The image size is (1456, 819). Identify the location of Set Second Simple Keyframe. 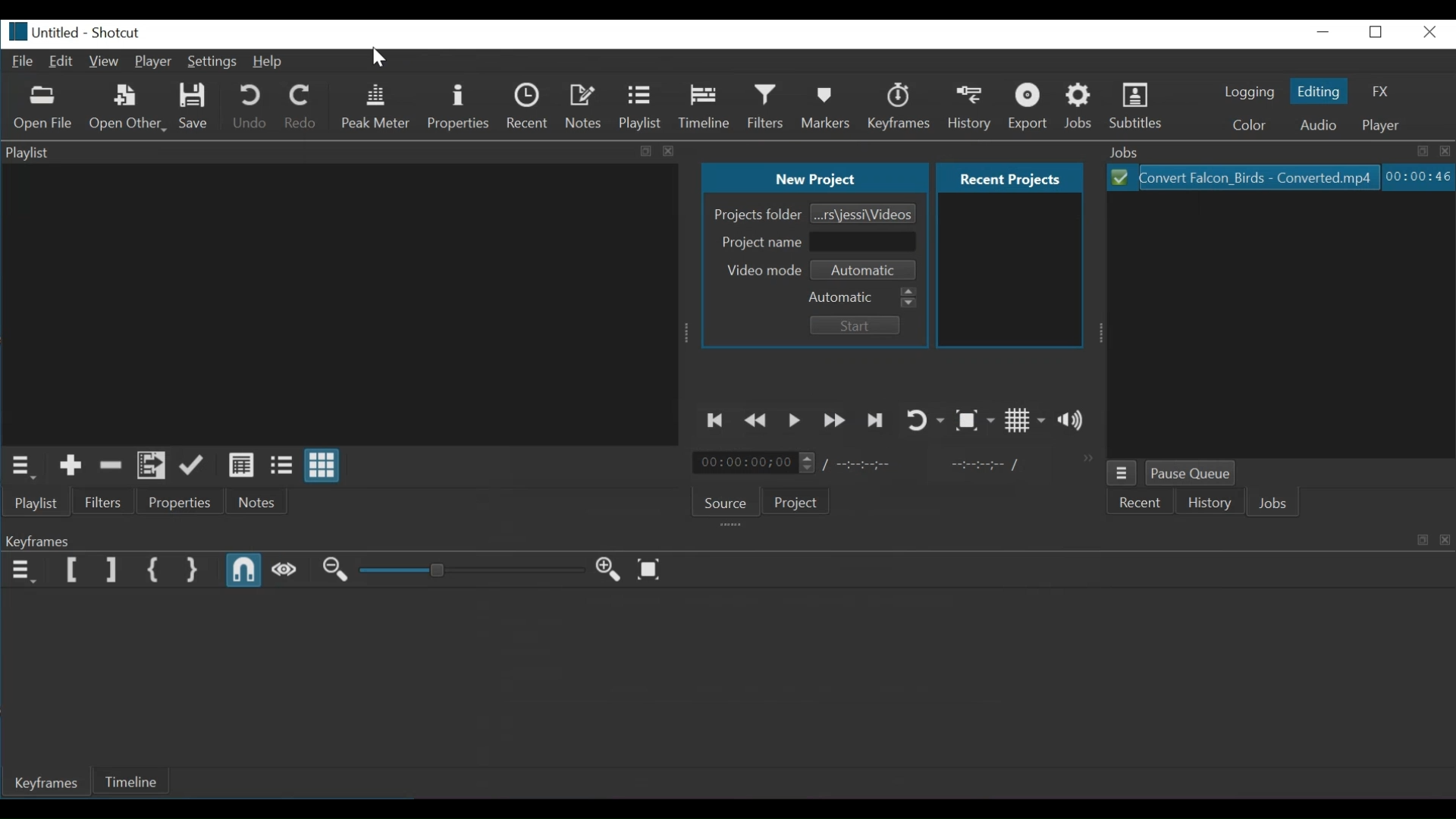
(192, 571).